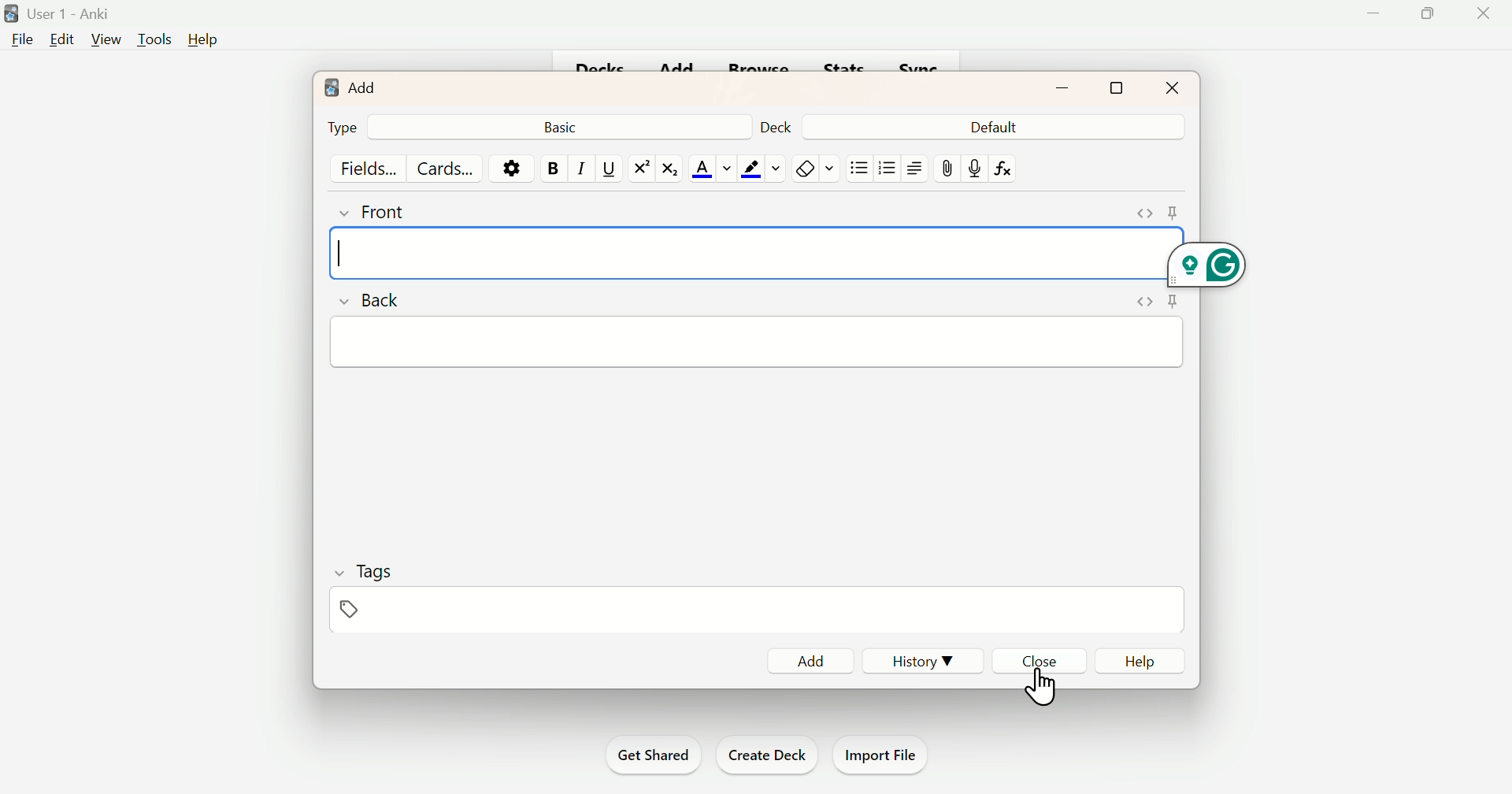 The height and width of the screenshot is (794, 1512). What do you see at coordinates (378, 570) in the screenshot?
I see `Tags` at bounding box center [378, 570].